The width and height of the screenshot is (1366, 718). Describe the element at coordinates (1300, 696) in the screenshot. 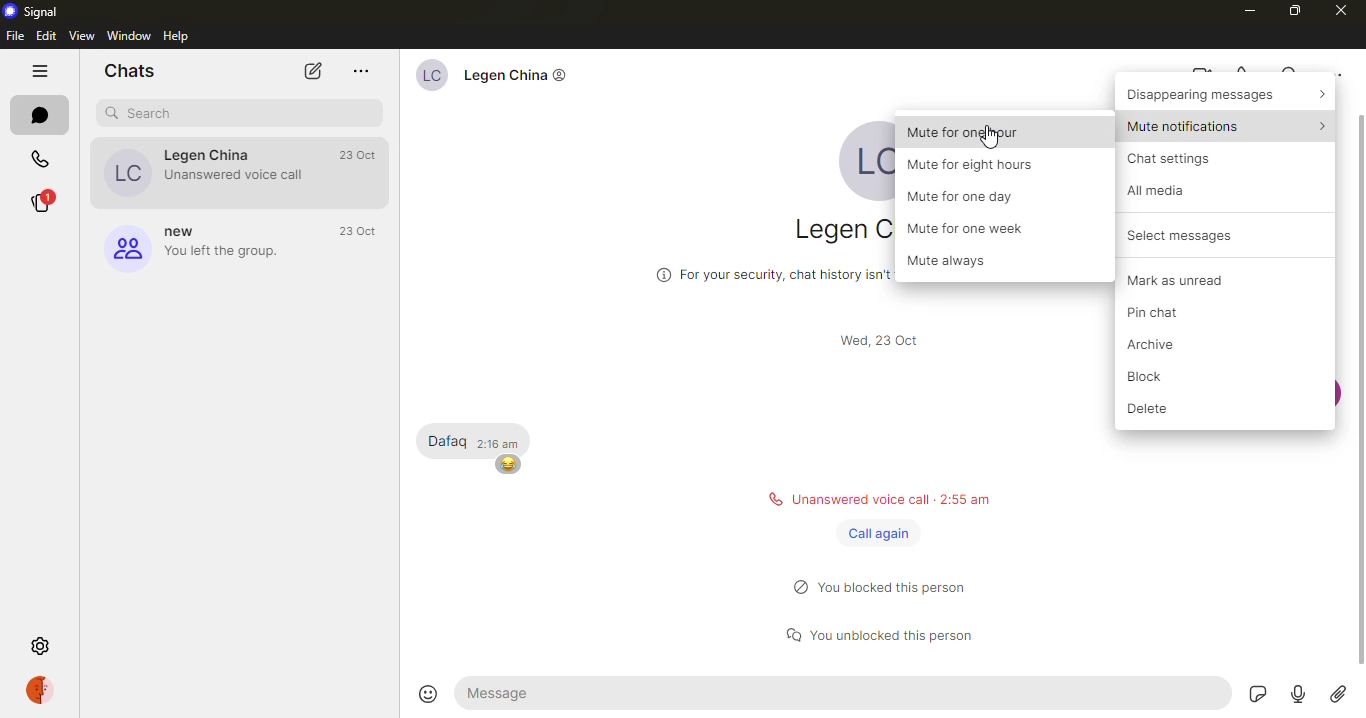

I see `record` at that location.